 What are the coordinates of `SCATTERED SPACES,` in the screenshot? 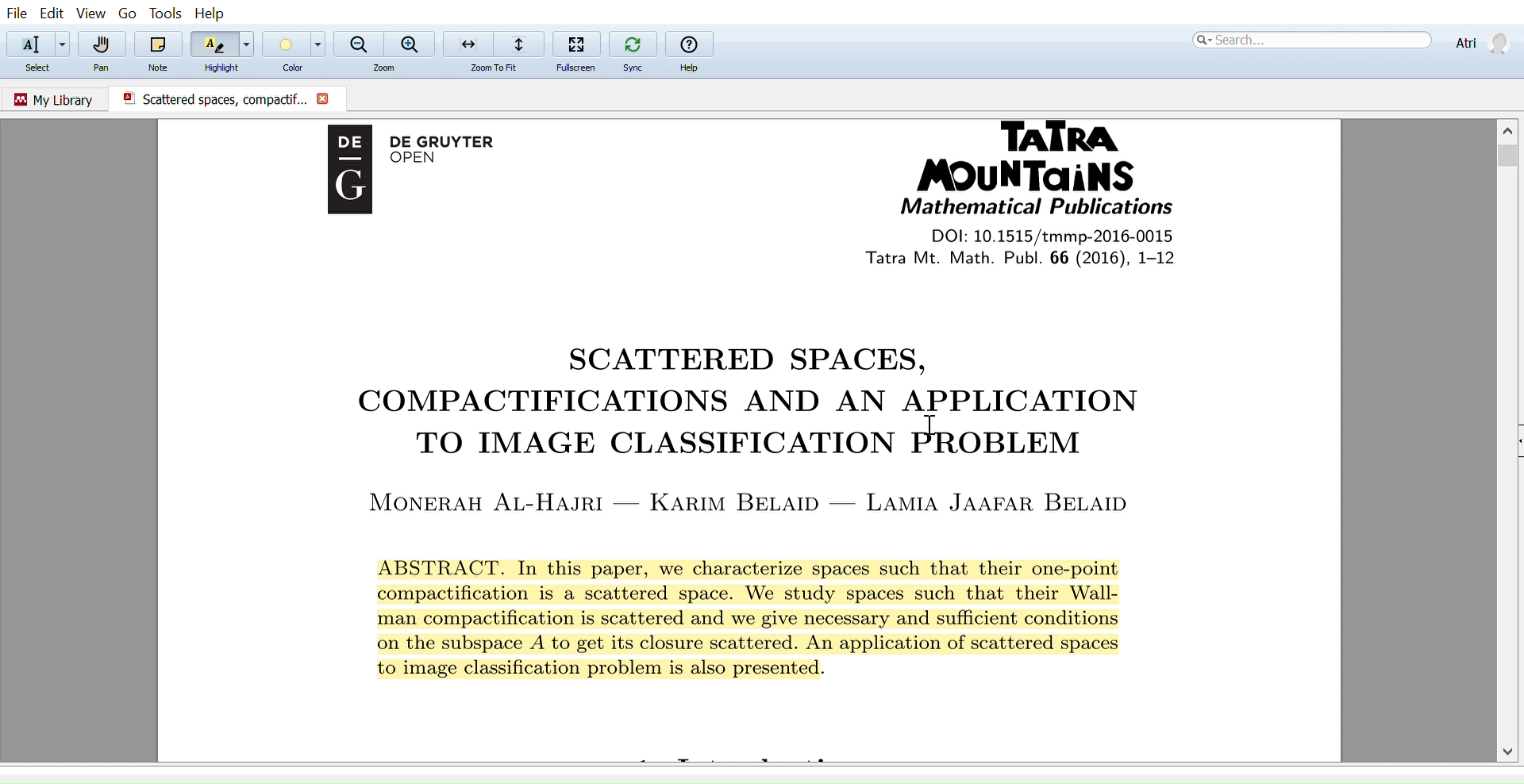 It's located at (749, 359).